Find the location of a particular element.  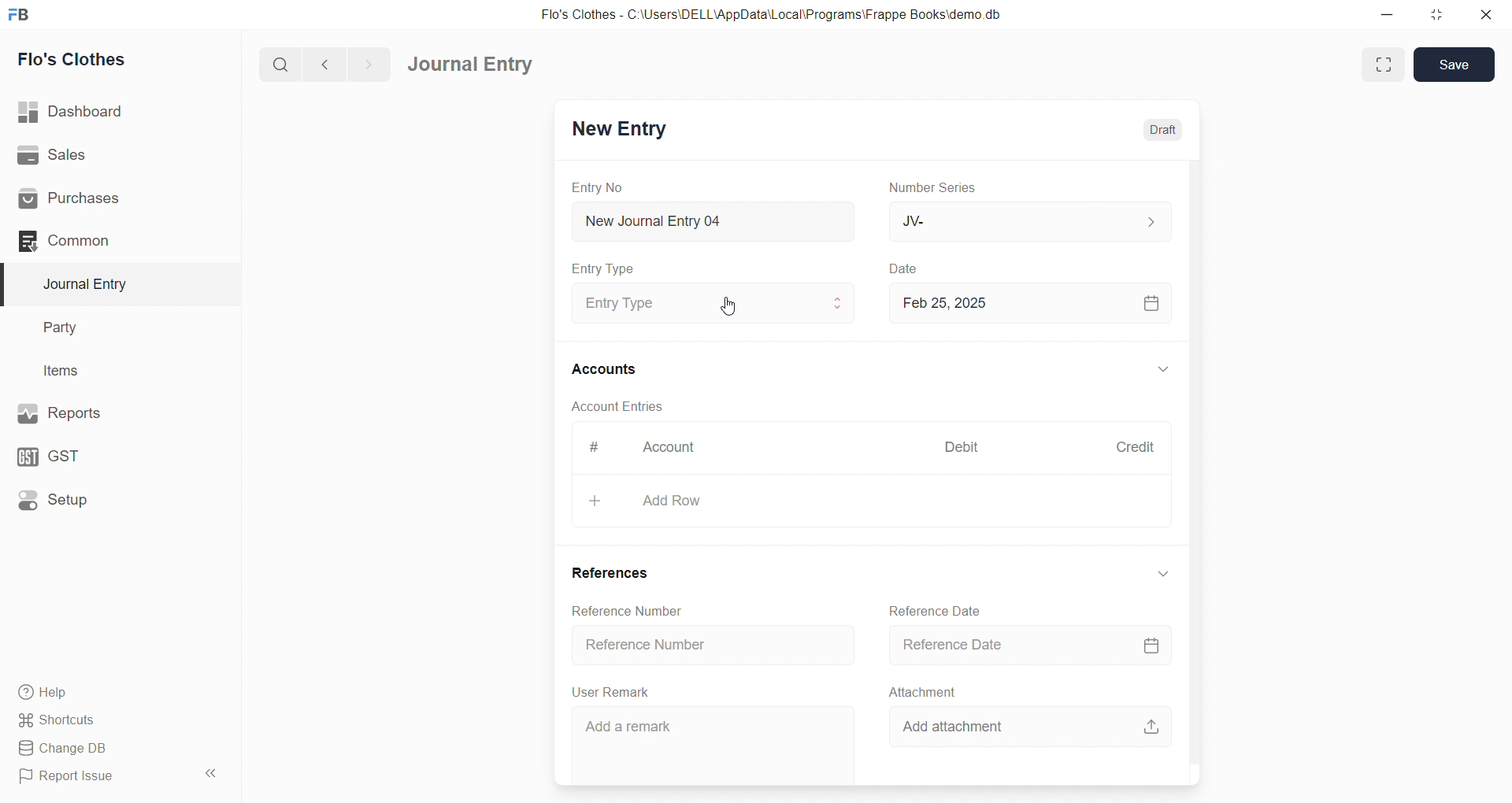

Accounts is located at coordinates (614, 368).